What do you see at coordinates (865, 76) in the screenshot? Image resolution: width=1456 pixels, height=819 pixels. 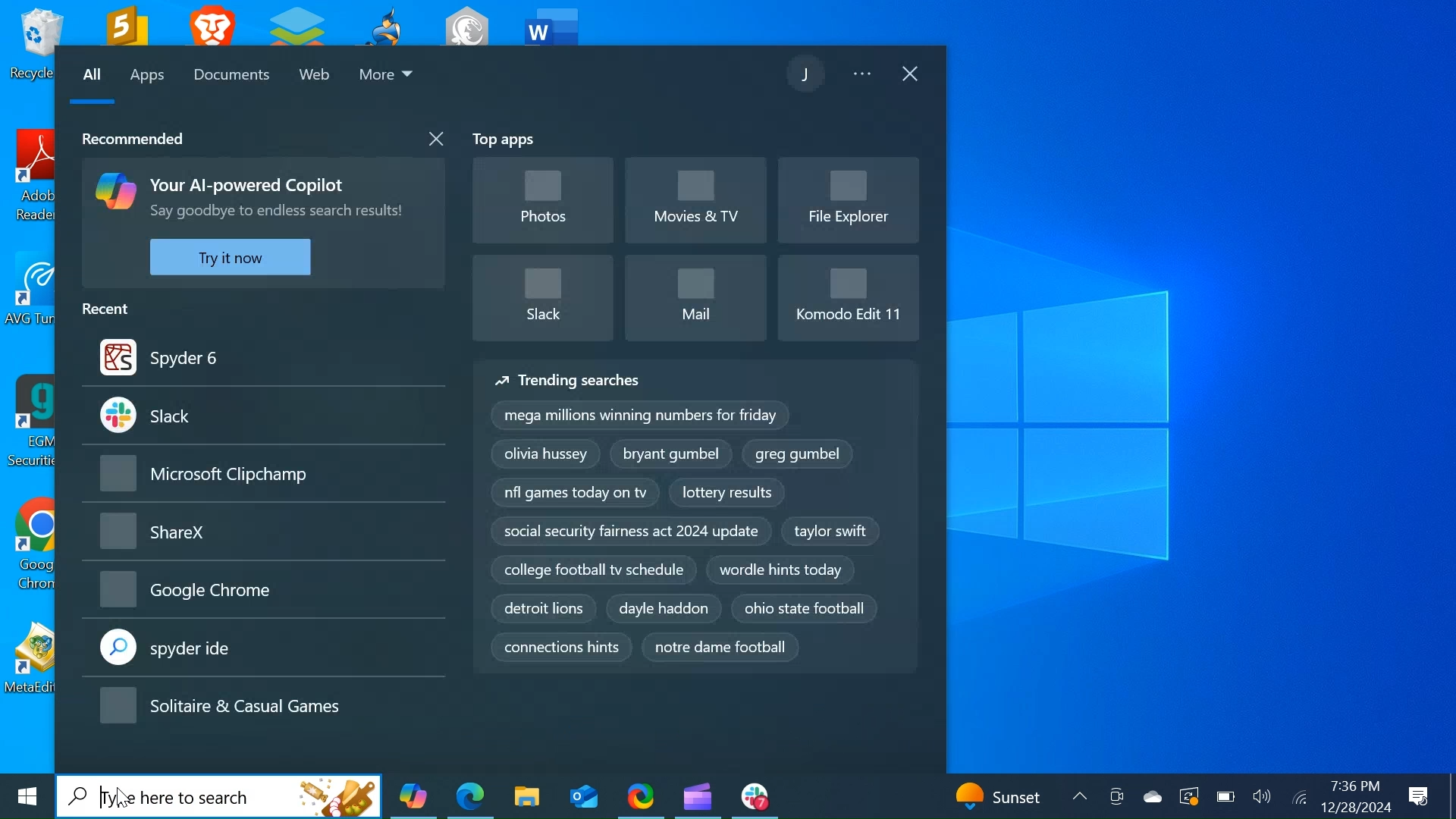 I see `More Settings` at bounding box center [865, 76].